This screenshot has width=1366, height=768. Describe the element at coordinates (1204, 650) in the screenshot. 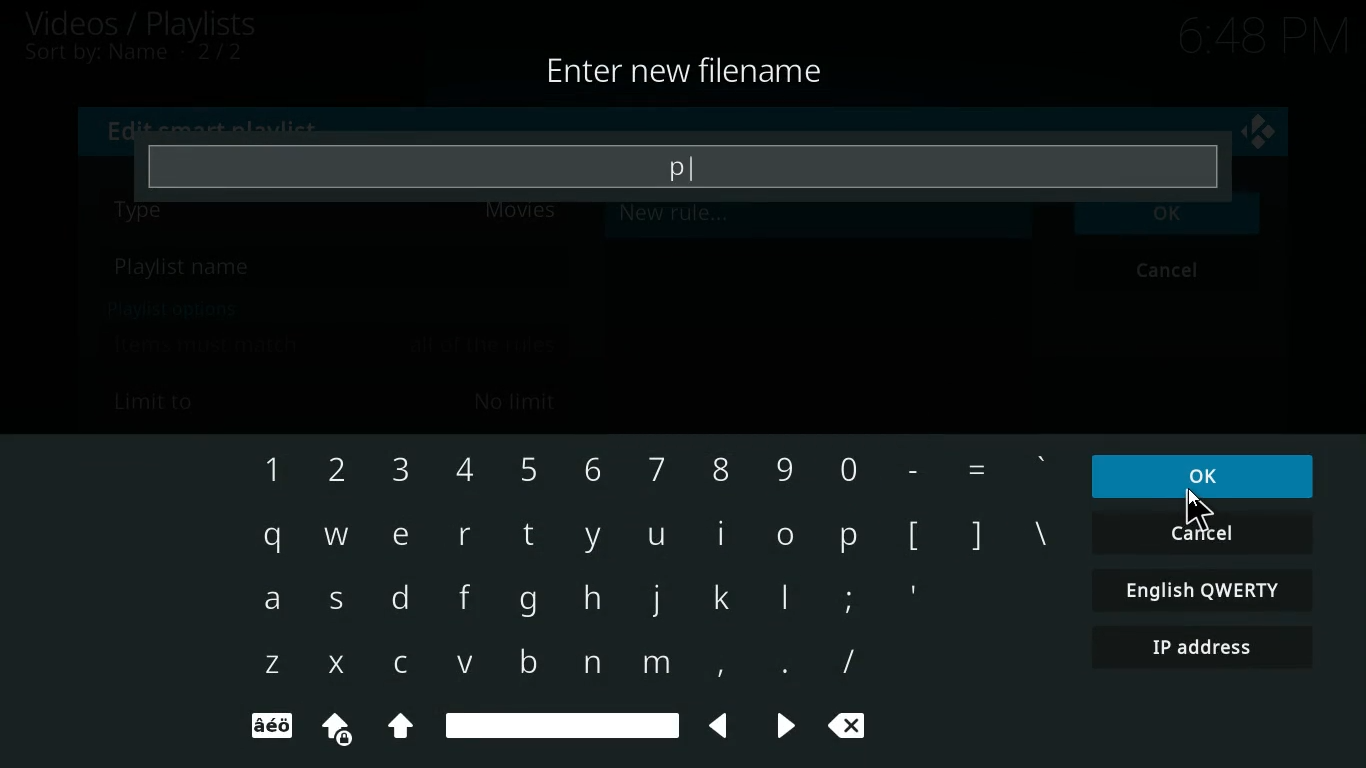

I see `IP address` at that location.